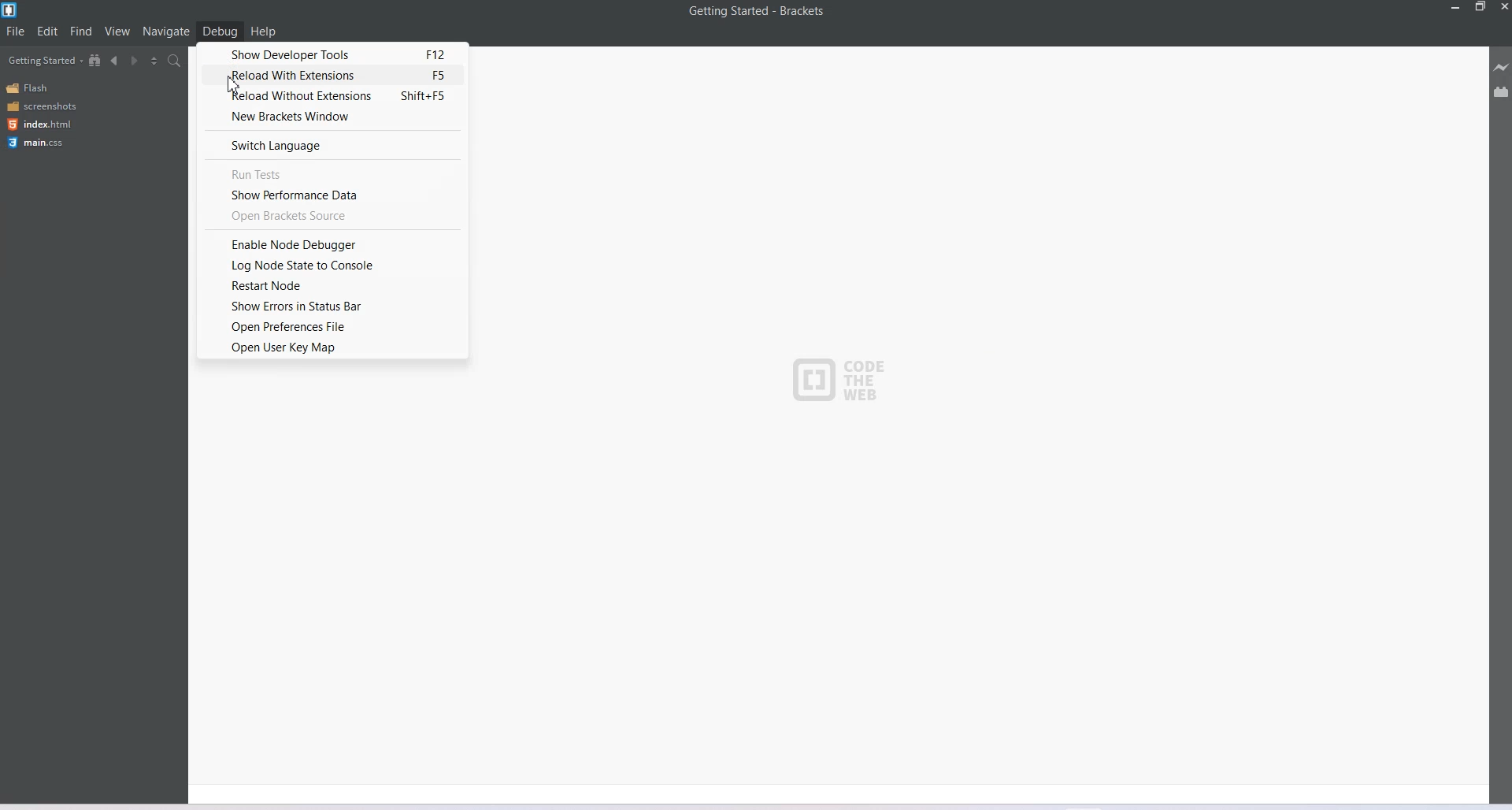 This screenshot has height=810, width=1512. I want to click on Debug, so click(220, 32).